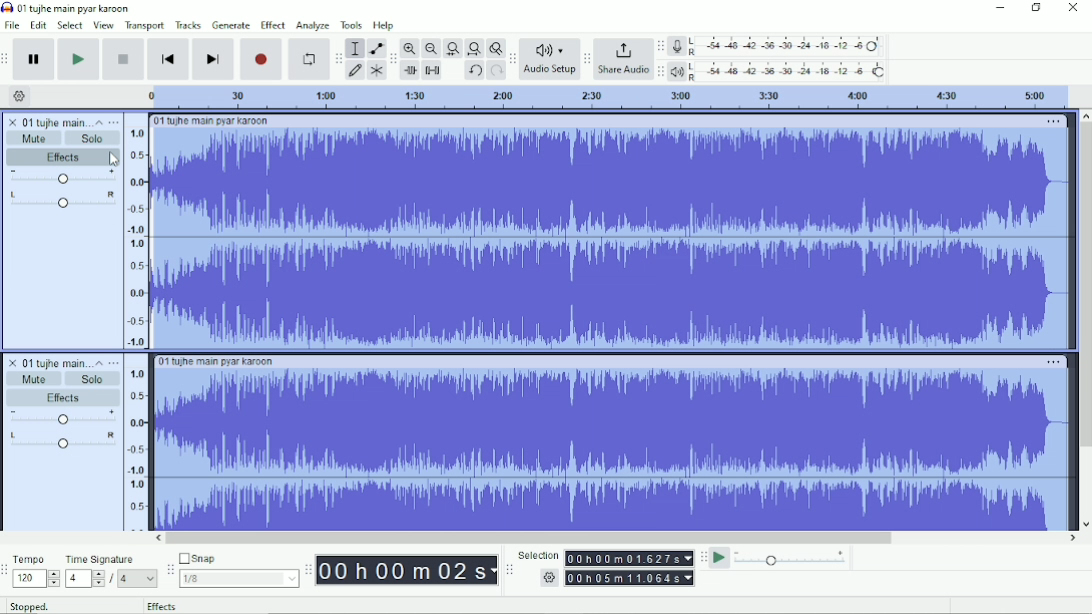  What do you see at coordinates (547, 578) in the screenshot?
I see `` at bounding box center [547, 578].